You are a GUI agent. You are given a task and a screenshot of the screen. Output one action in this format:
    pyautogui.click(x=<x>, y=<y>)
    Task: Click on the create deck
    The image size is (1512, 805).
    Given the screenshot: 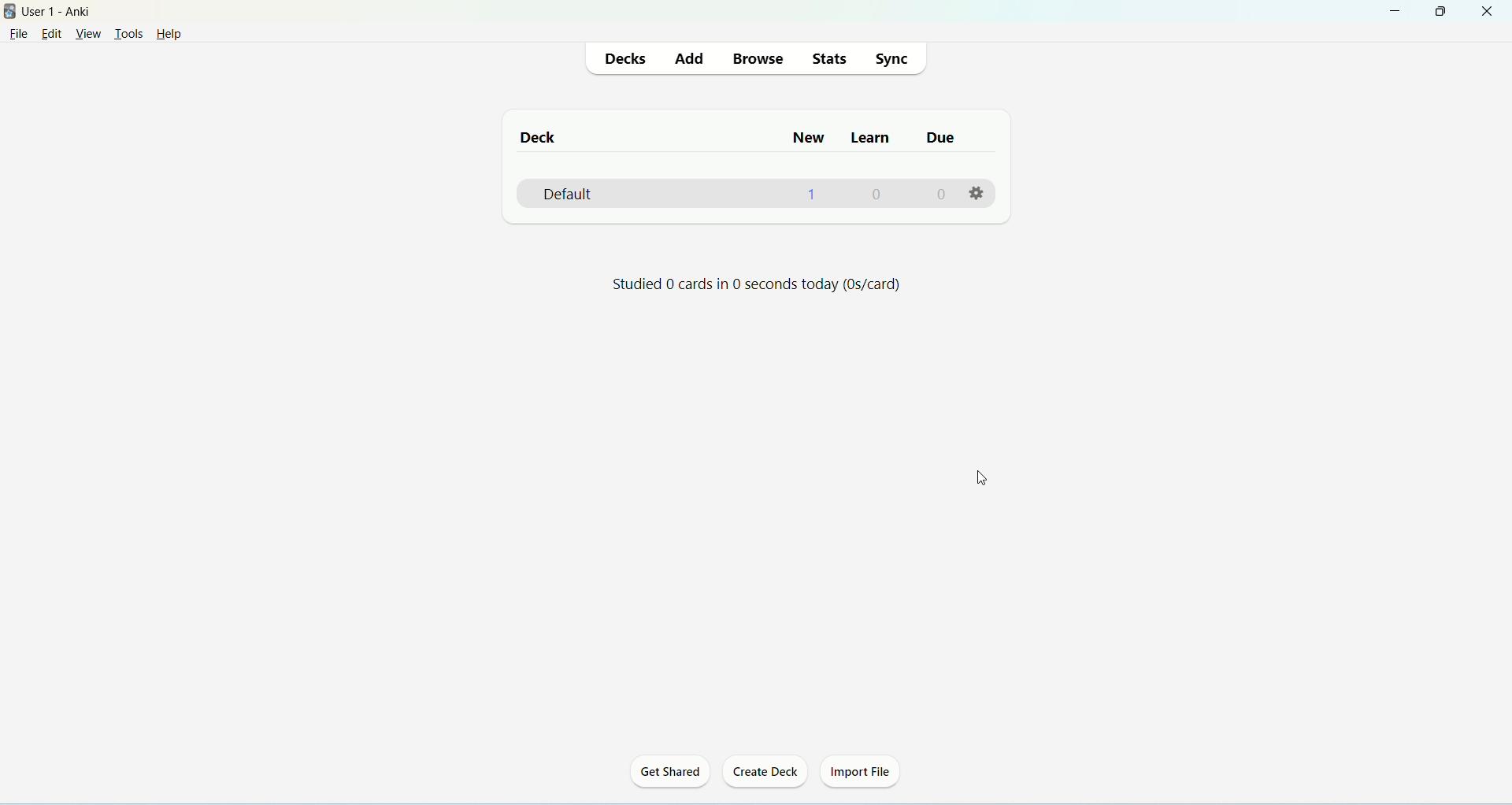 What is the action you would take?
    pyautogui.click(x=765, y=771)
    